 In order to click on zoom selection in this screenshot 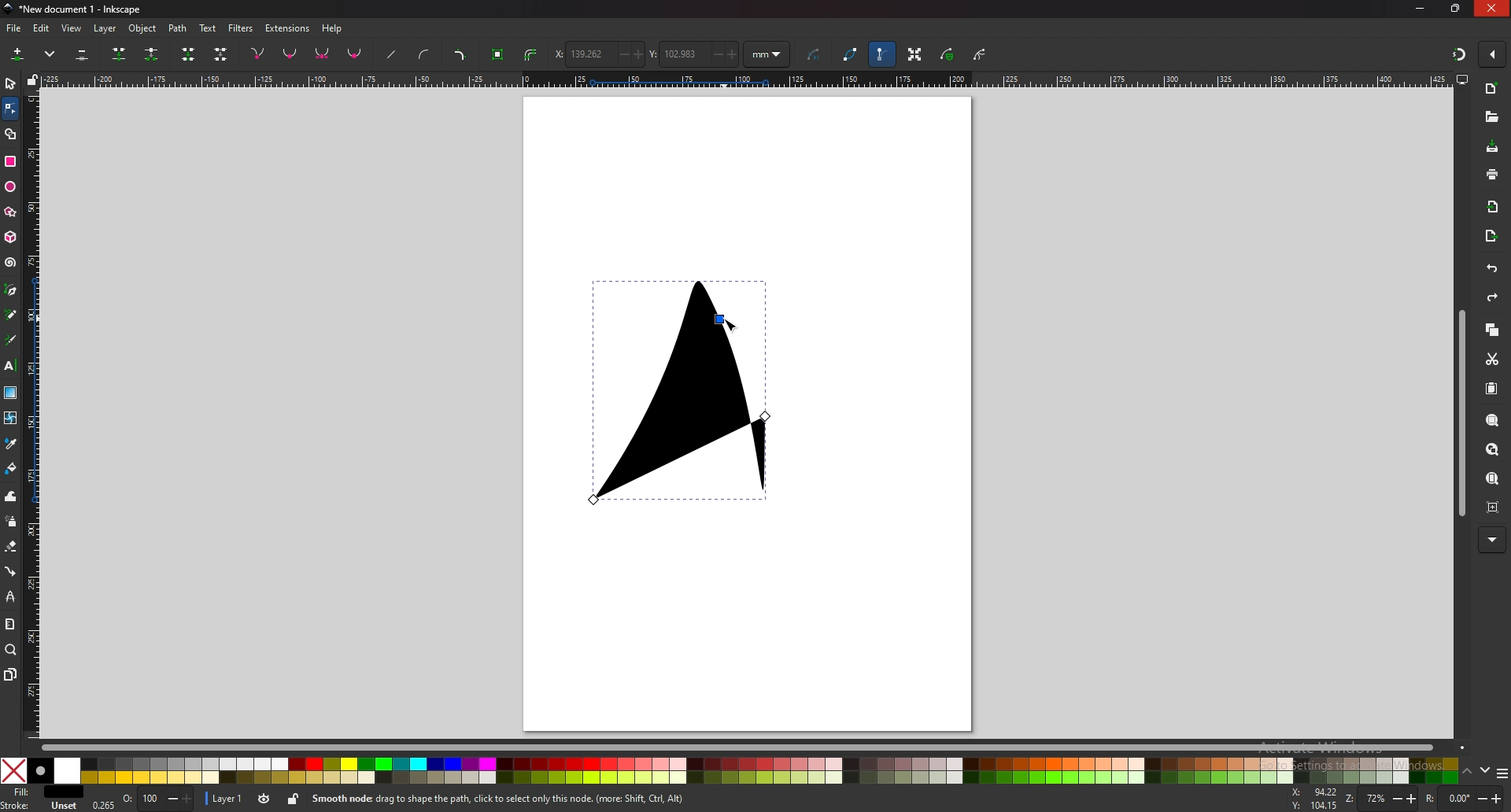, I will do `click(1493, 420)`.